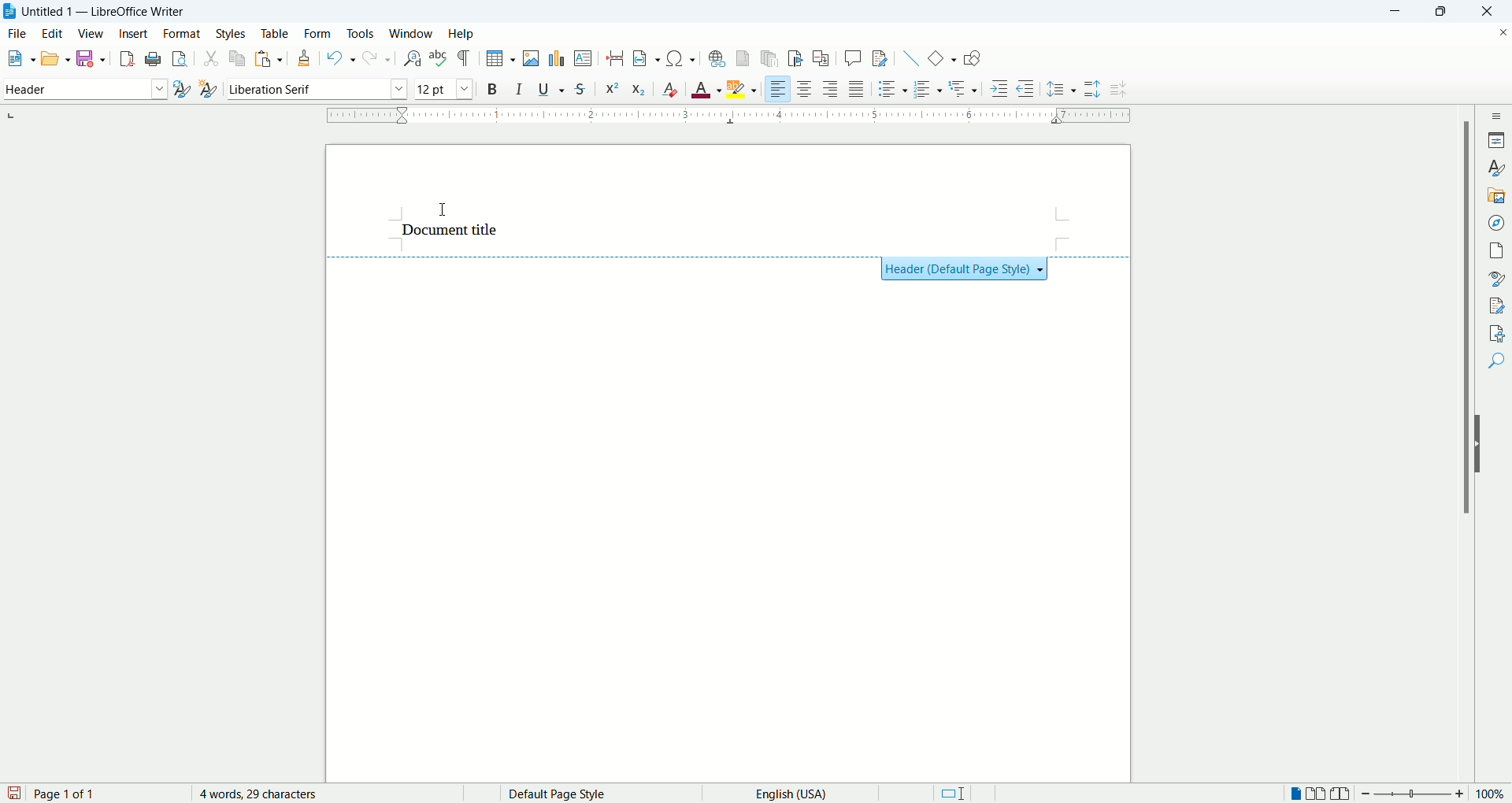 This screenshot has width=1512, height=803. What do you see at coordinates (490, 92) in the screenshot?
I see `bold` at bounding box center [490, 92].